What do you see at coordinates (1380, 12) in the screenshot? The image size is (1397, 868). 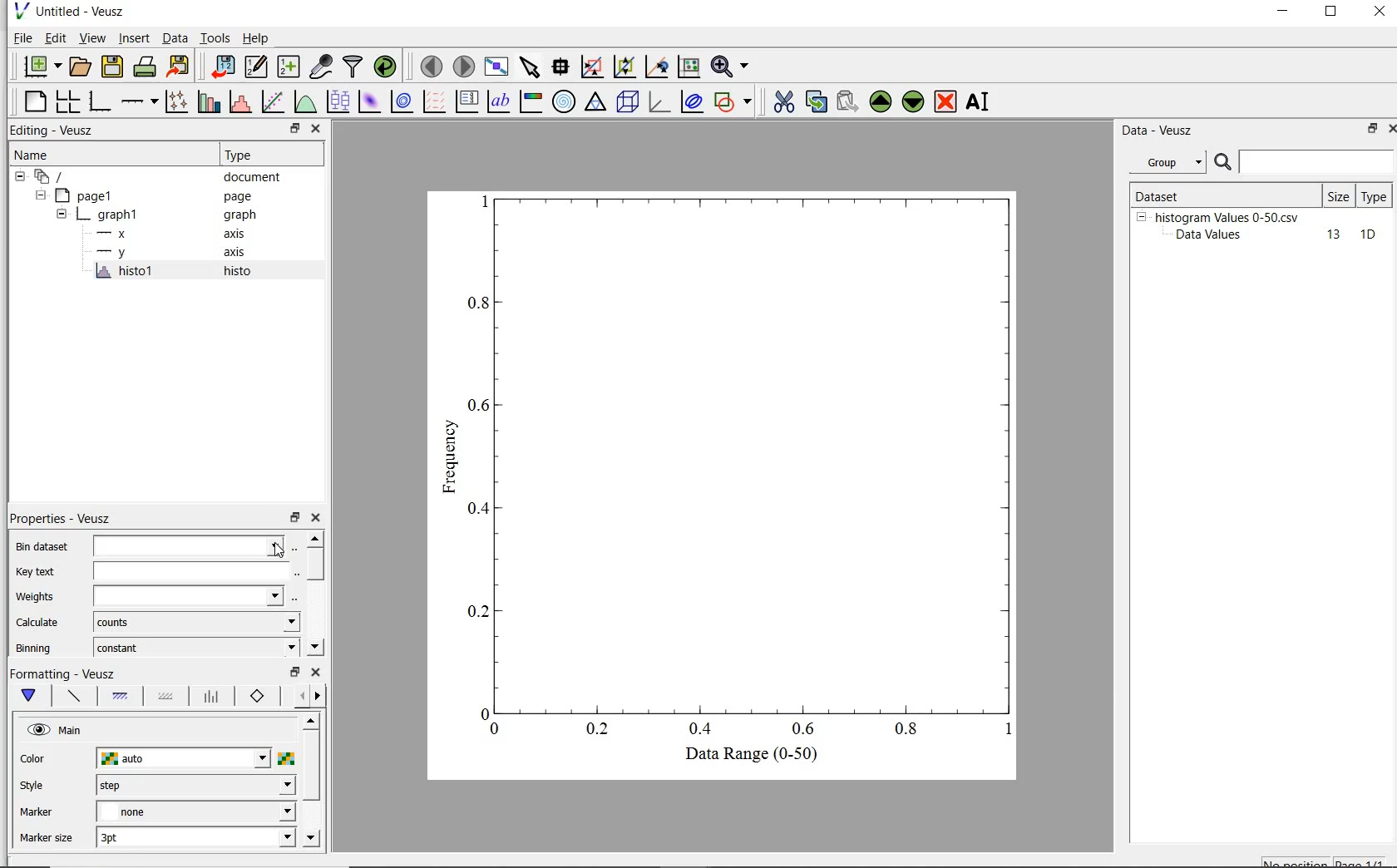 I see `close` at bounding box center [1380, 12].